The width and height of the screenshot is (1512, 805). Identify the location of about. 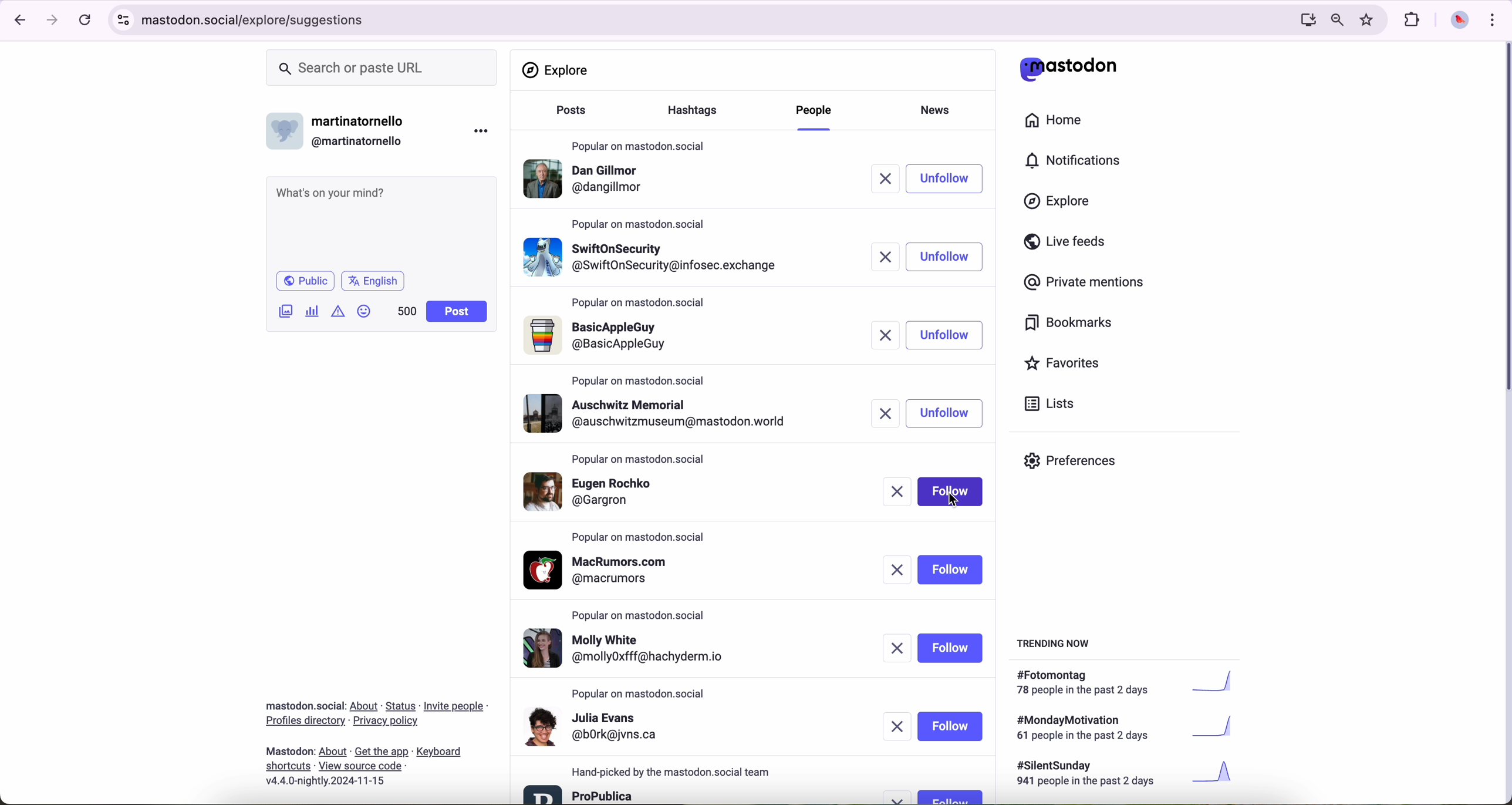
(376, 739).